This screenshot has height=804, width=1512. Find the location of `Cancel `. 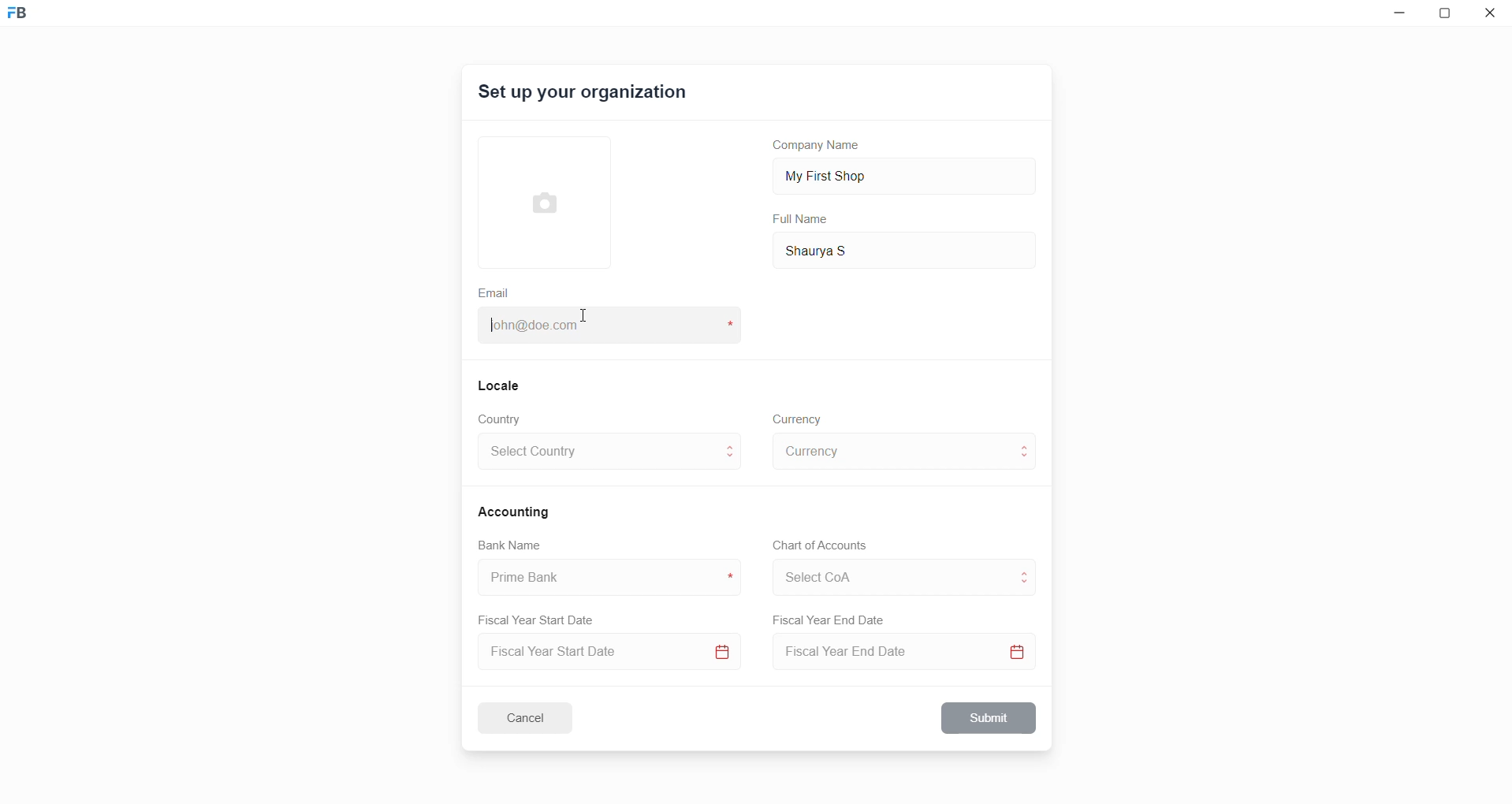

Cancel  is located at coordinates (535, 717).